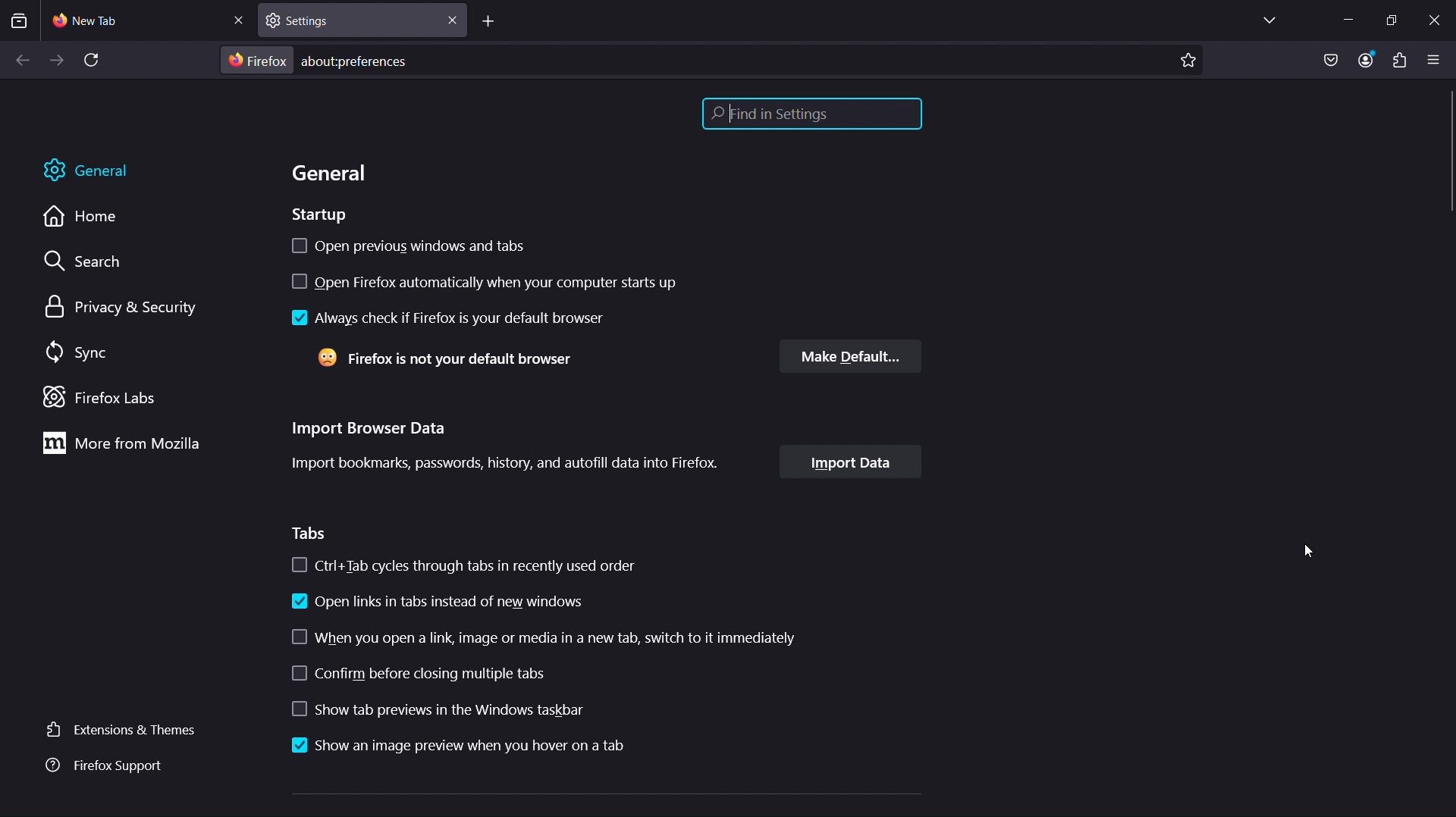  I want to click on Firefox is not your default browser, so click(472, 360).